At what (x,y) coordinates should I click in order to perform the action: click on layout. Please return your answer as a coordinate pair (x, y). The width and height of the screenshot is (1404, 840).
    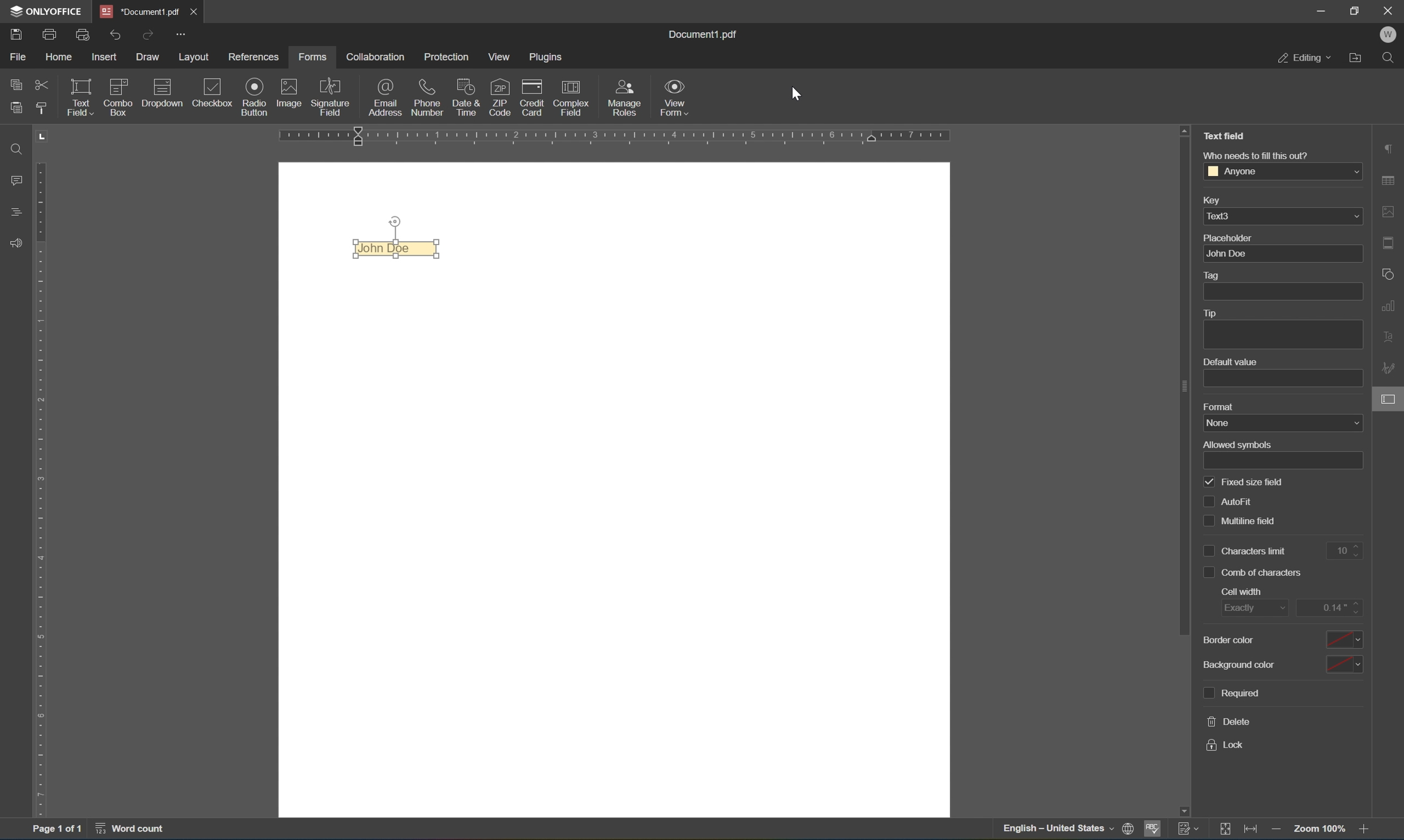
    Looking at the image, I should click on (195, 57).